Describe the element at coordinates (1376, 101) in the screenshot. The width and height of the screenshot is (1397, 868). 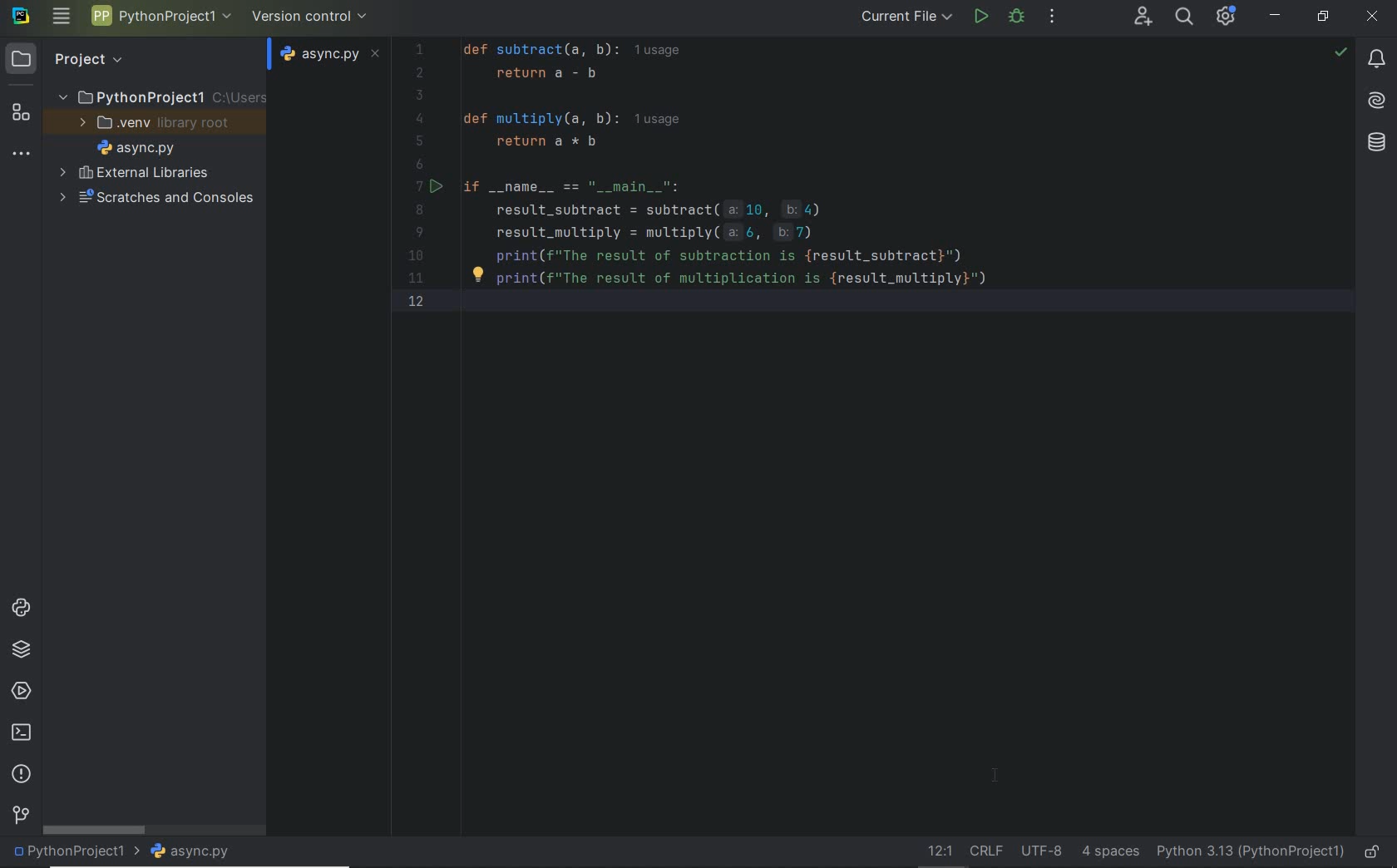
I see `AI Assistant` at that location.